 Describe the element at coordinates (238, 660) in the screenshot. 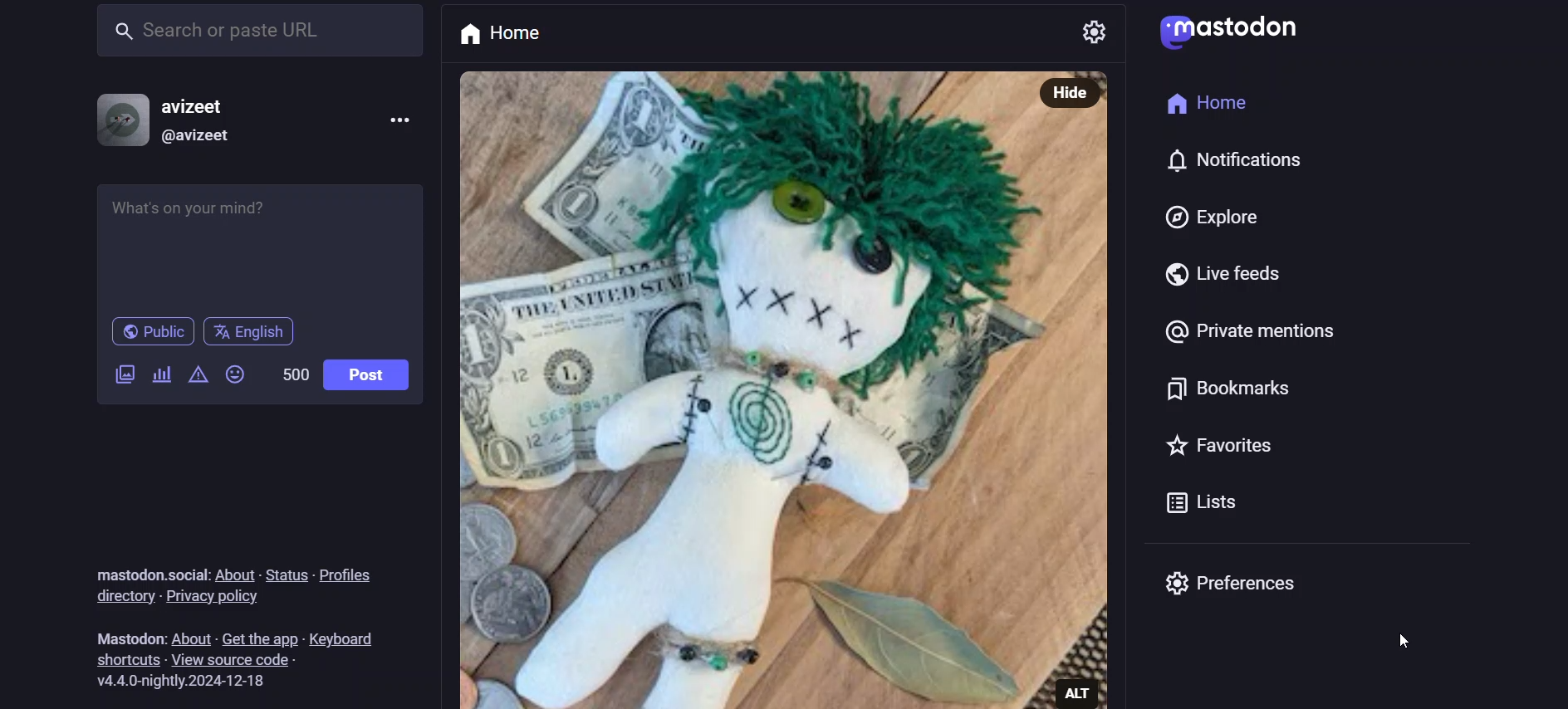

I see `View Source Code` at that location.